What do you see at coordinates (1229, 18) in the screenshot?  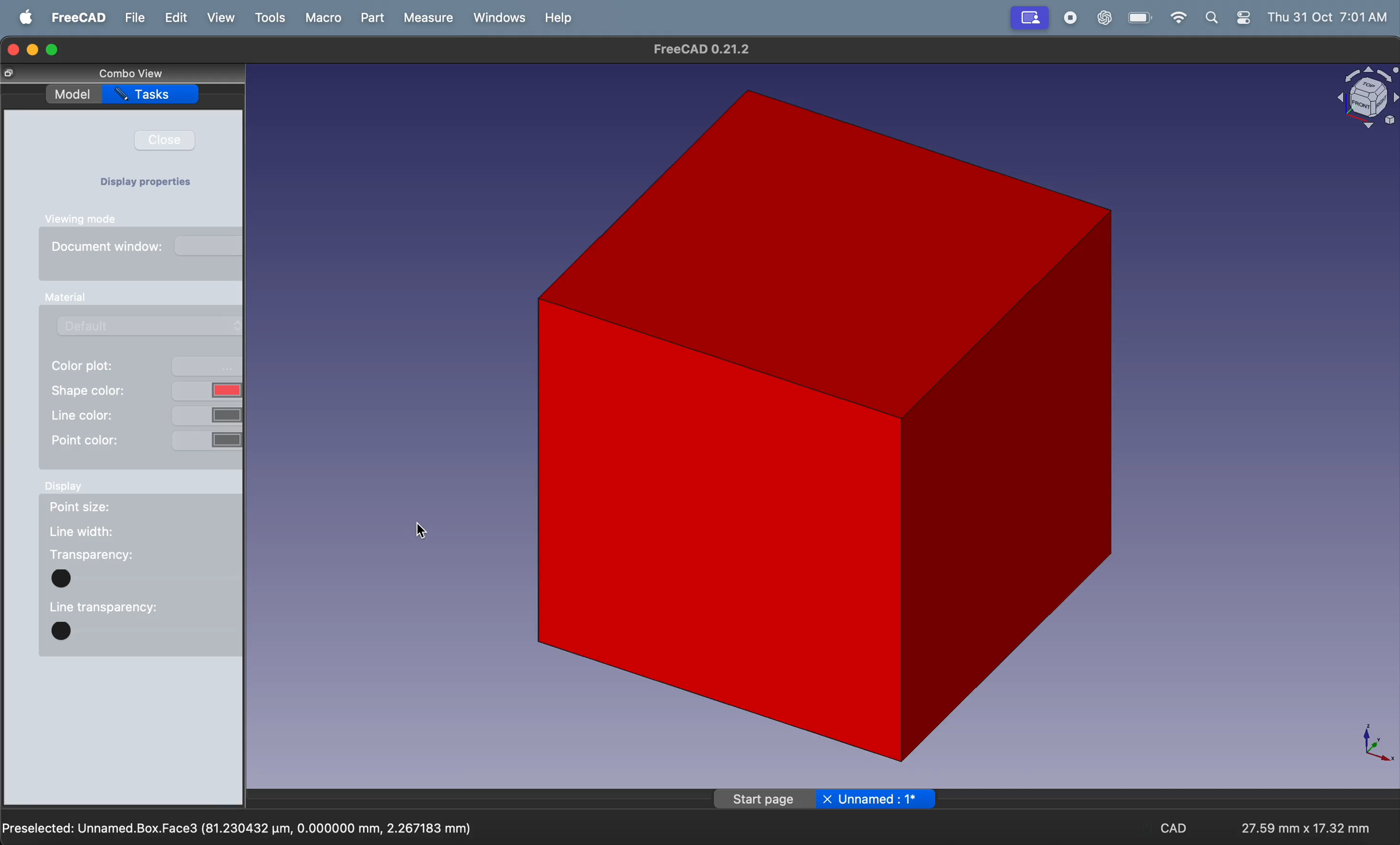 I see `apple widgets` at bounding box center [1229, 18].